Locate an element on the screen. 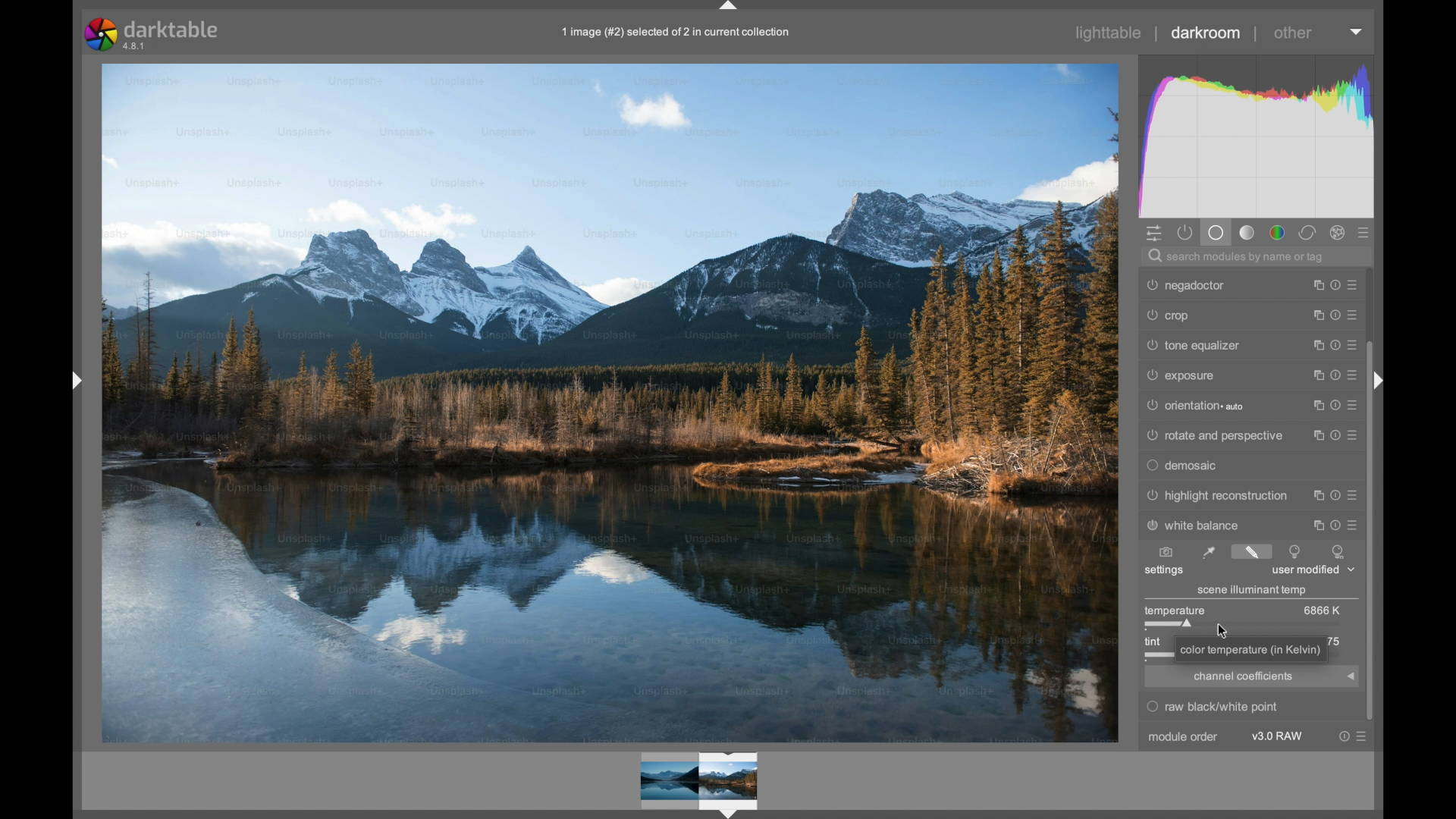 This screenshot has height=819, width=1456. 1 image (#2) selected of 2 in current collection is located at coordinates (682, 33).